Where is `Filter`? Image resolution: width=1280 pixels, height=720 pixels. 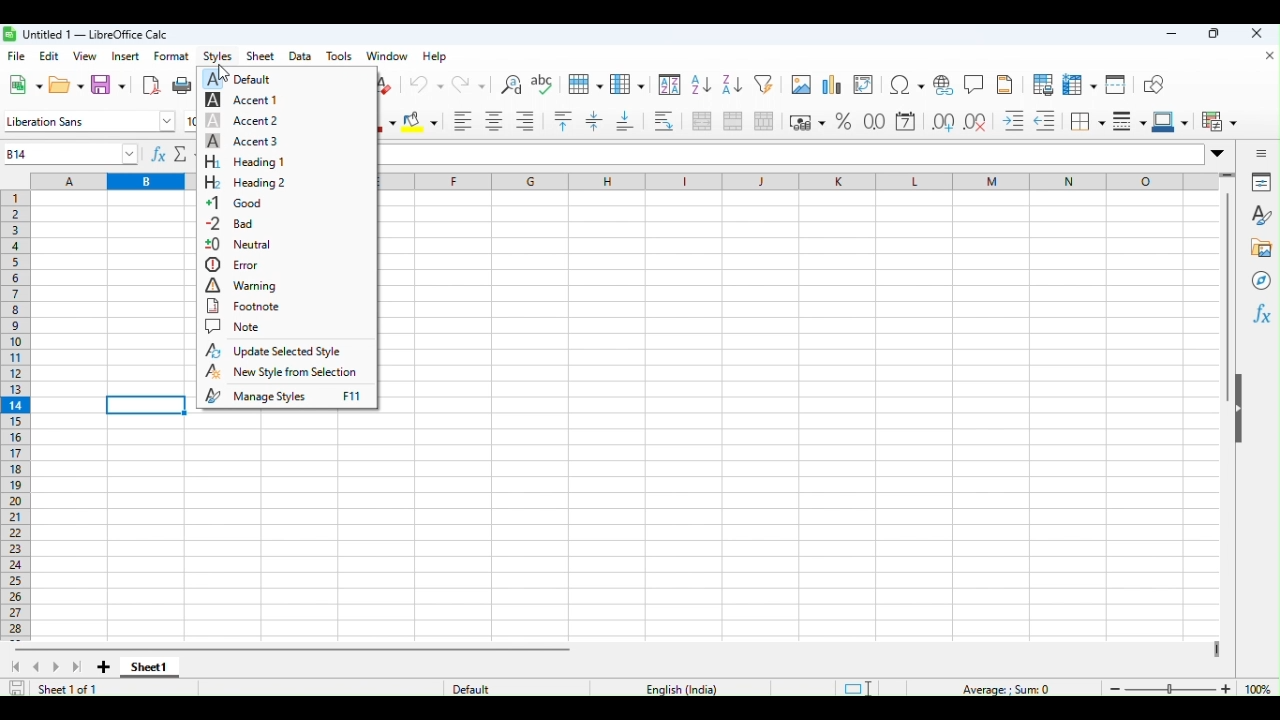
Filter is located at coordinates (767, 84).